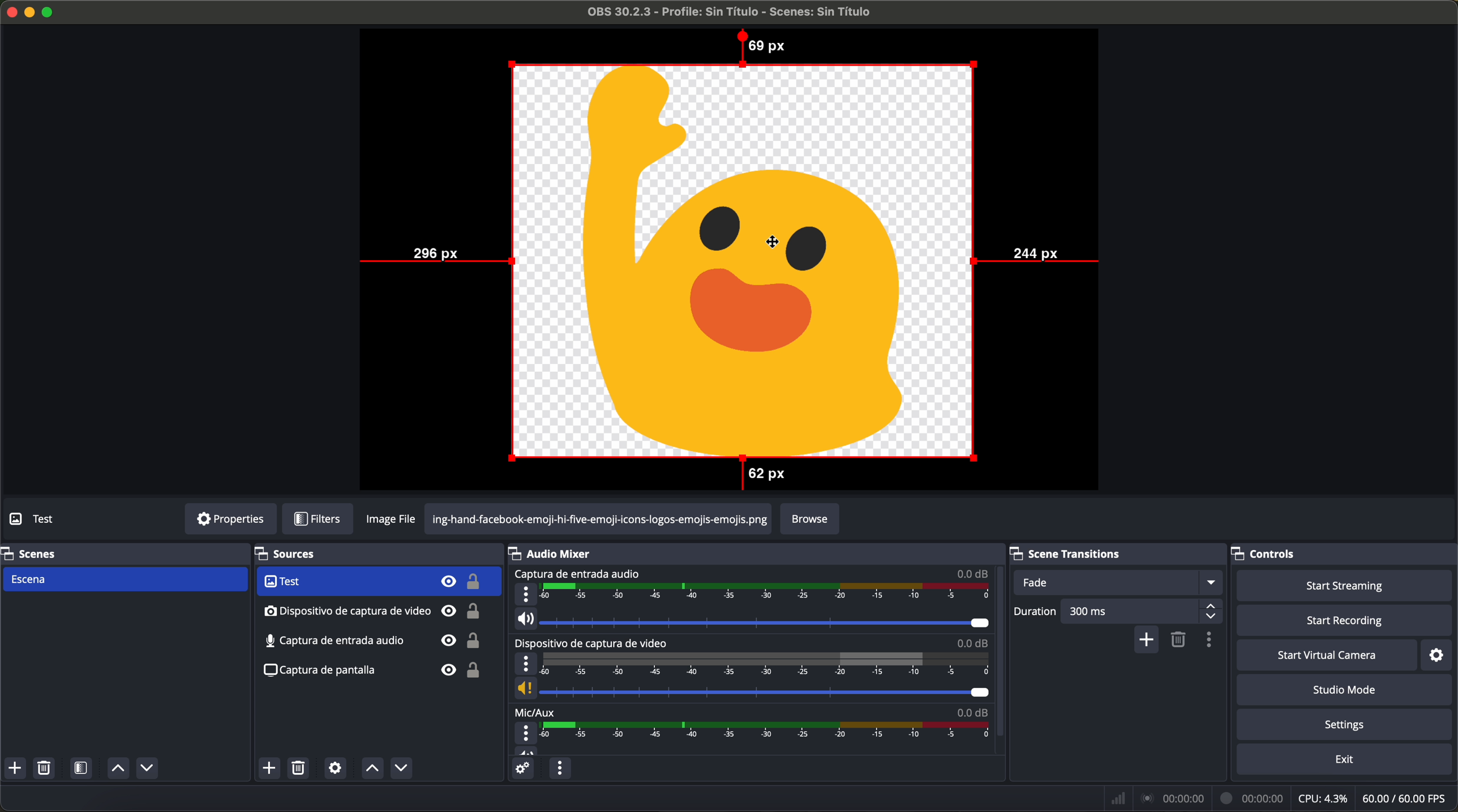 The width and height of the screenshot is (1458, 812). Describe the element at coordinates (731, 12) in the screenshot. I see `filename` at that location.